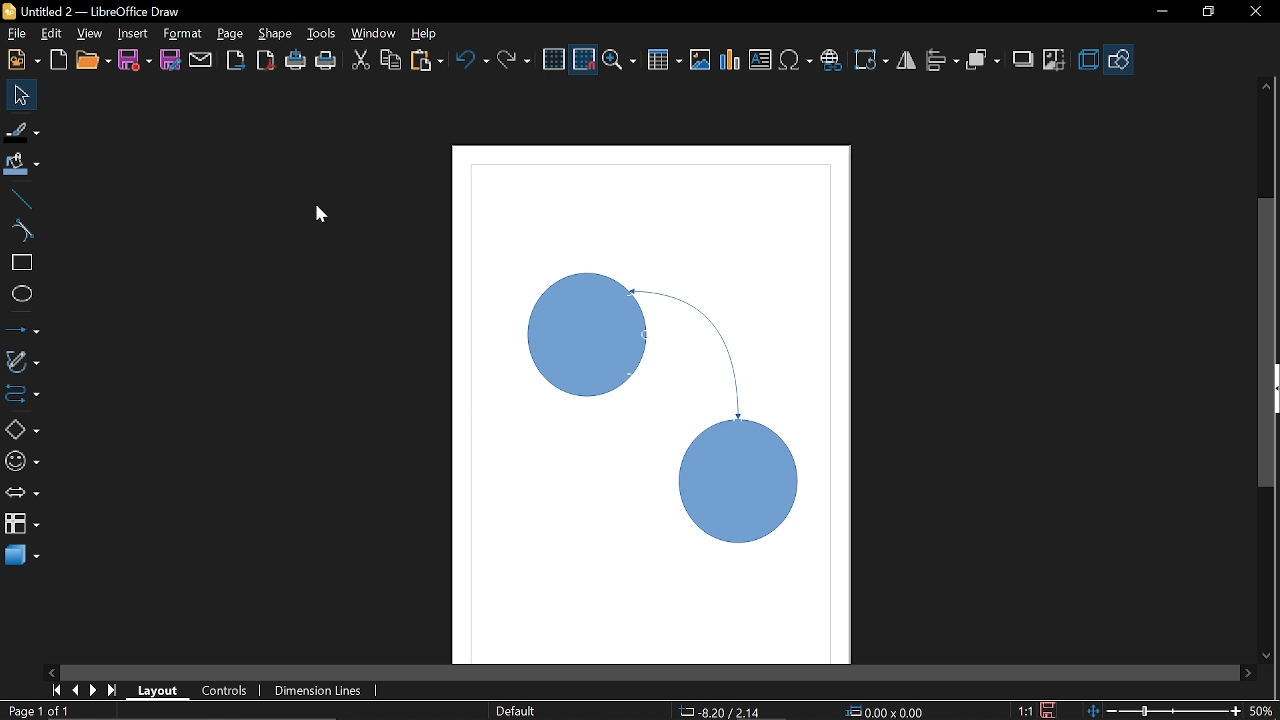 The height and width of the screenshot is (720, 1280). Describe the element at coordinates (181, 35) in the screenshot. I see `Format` at that location.